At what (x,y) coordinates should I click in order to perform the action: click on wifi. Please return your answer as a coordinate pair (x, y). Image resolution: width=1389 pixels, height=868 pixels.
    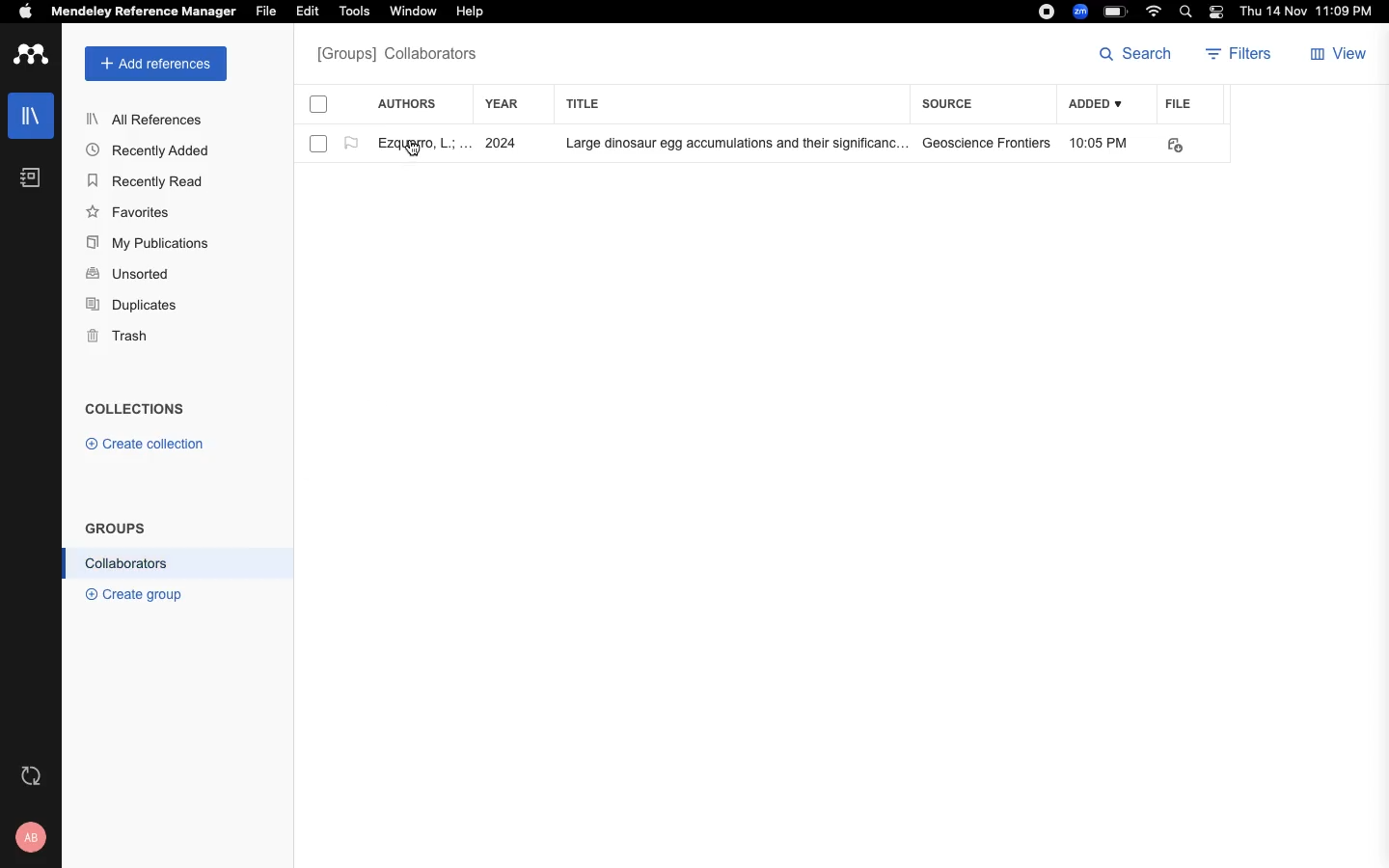
    Looking at the image, I should click on (1157, 12).